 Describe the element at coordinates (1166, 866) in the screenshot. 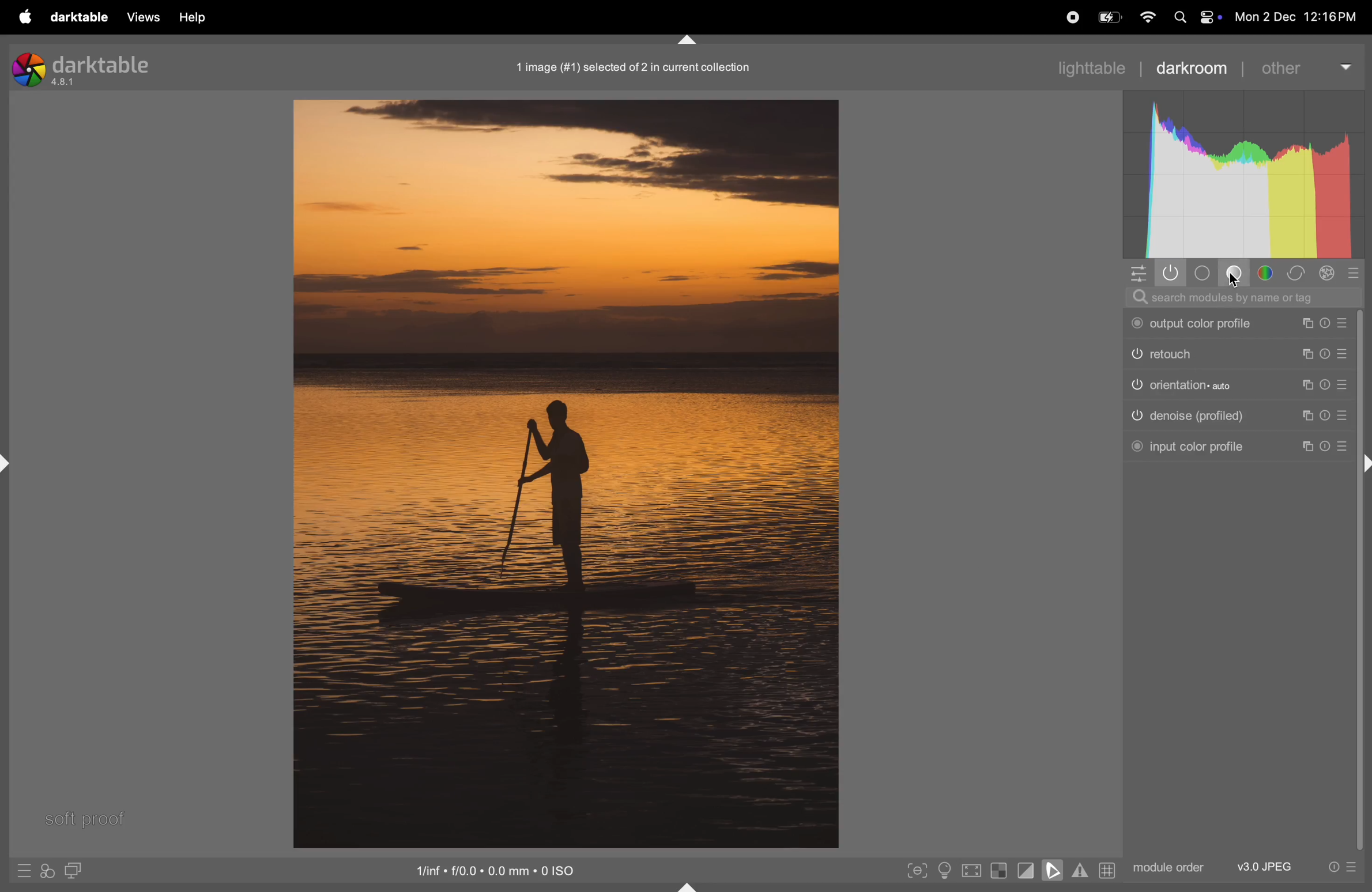

I see `module order ` at that location.